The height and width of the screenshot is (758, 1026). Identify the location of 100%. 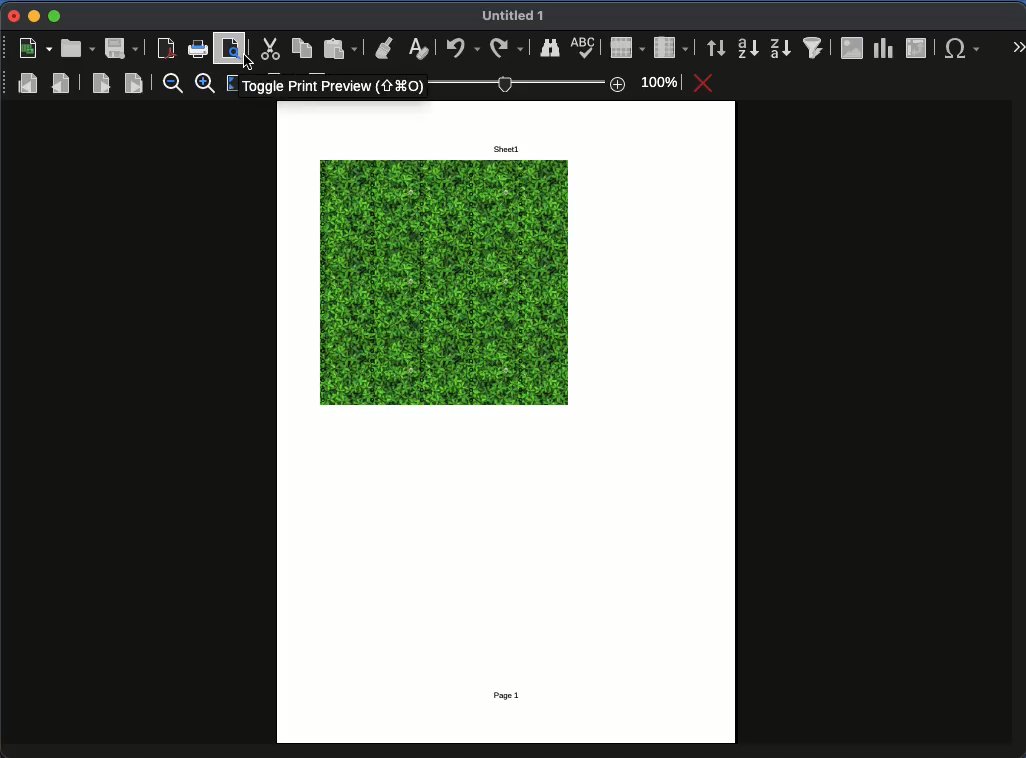
(558, 83).